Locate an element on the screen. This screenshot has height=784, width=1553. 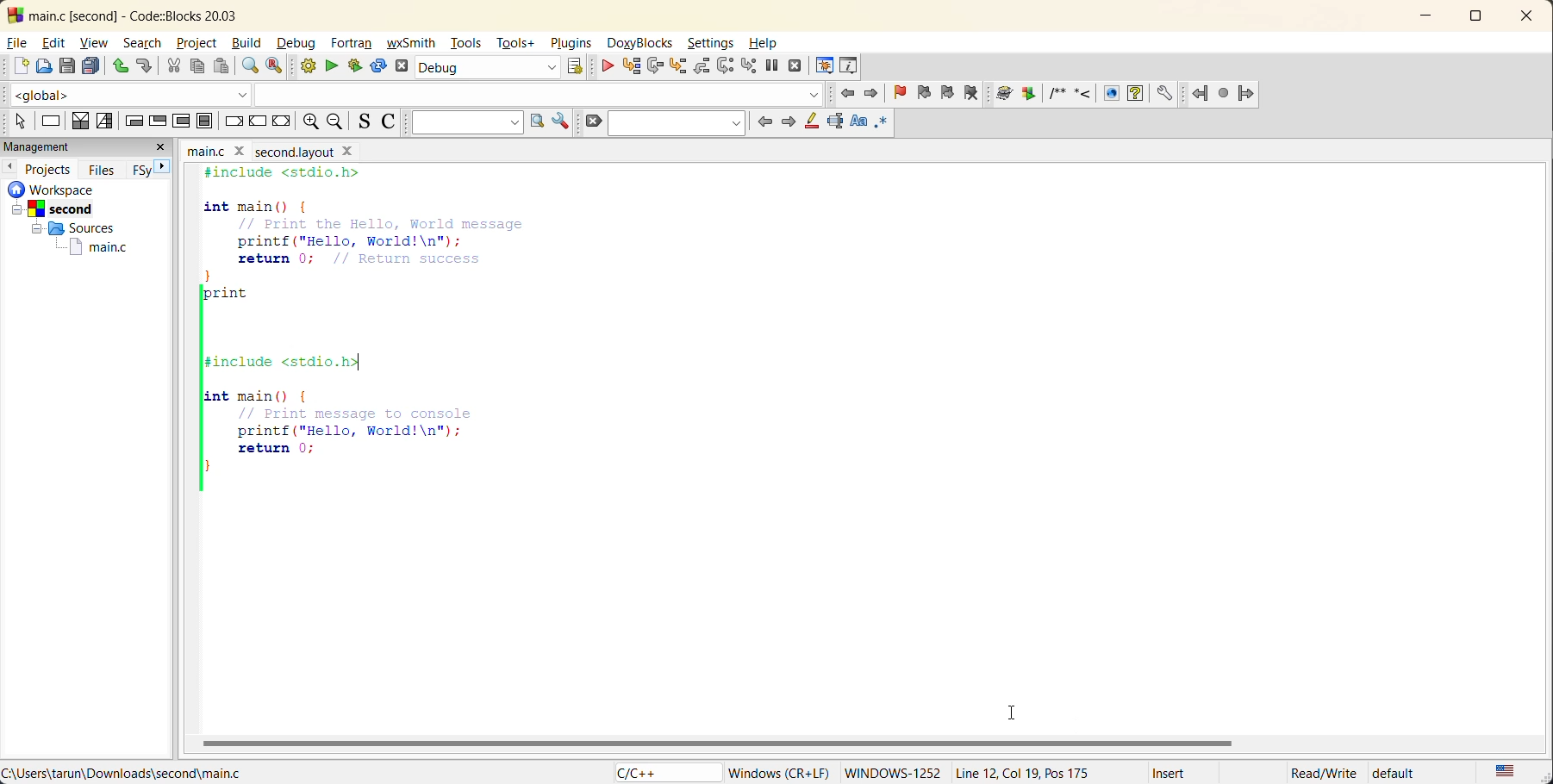
Second layout is located at coordinates (305, 150).